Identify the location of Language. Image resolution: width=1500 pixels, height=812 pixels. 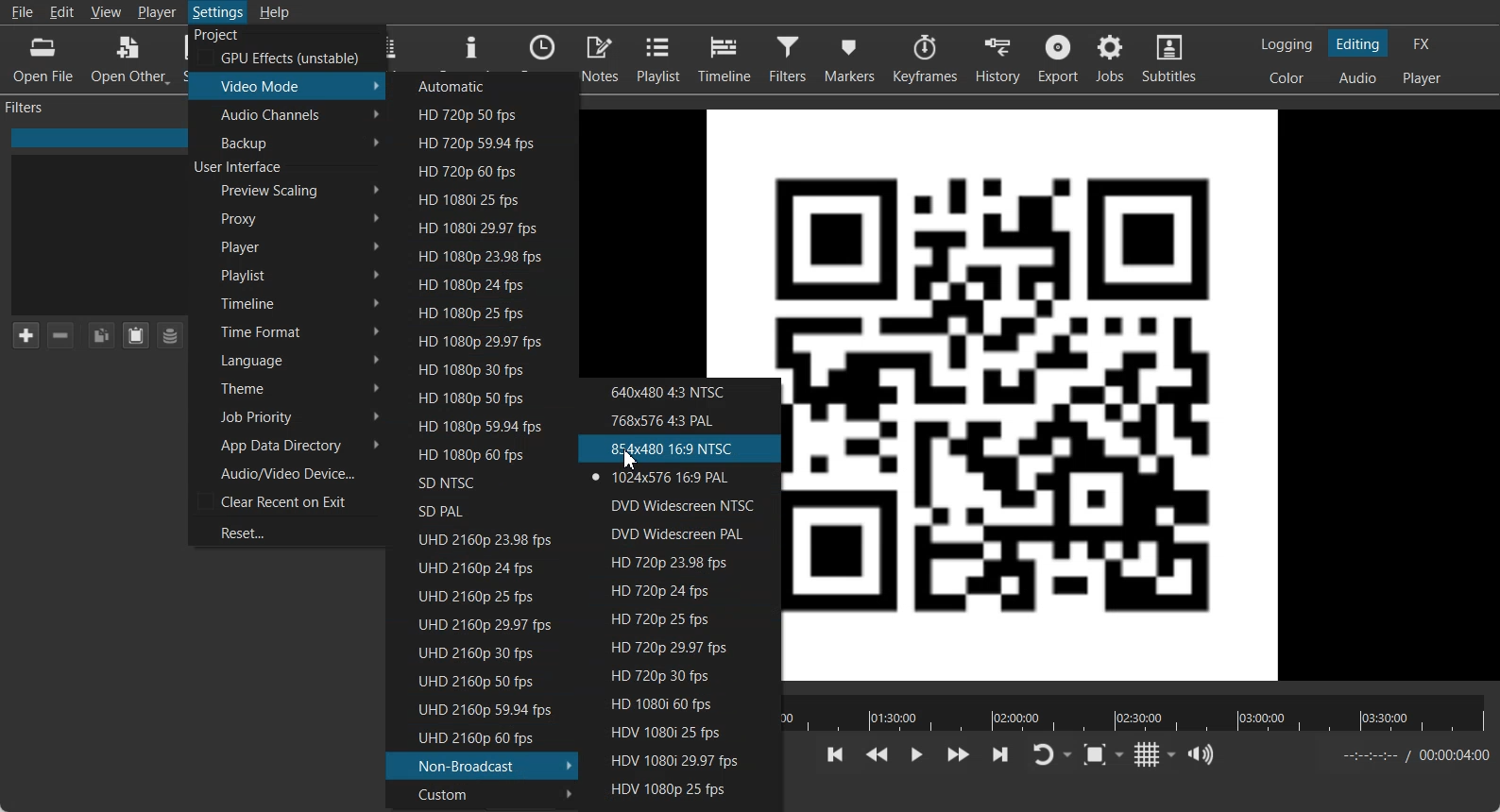
(286, 359).